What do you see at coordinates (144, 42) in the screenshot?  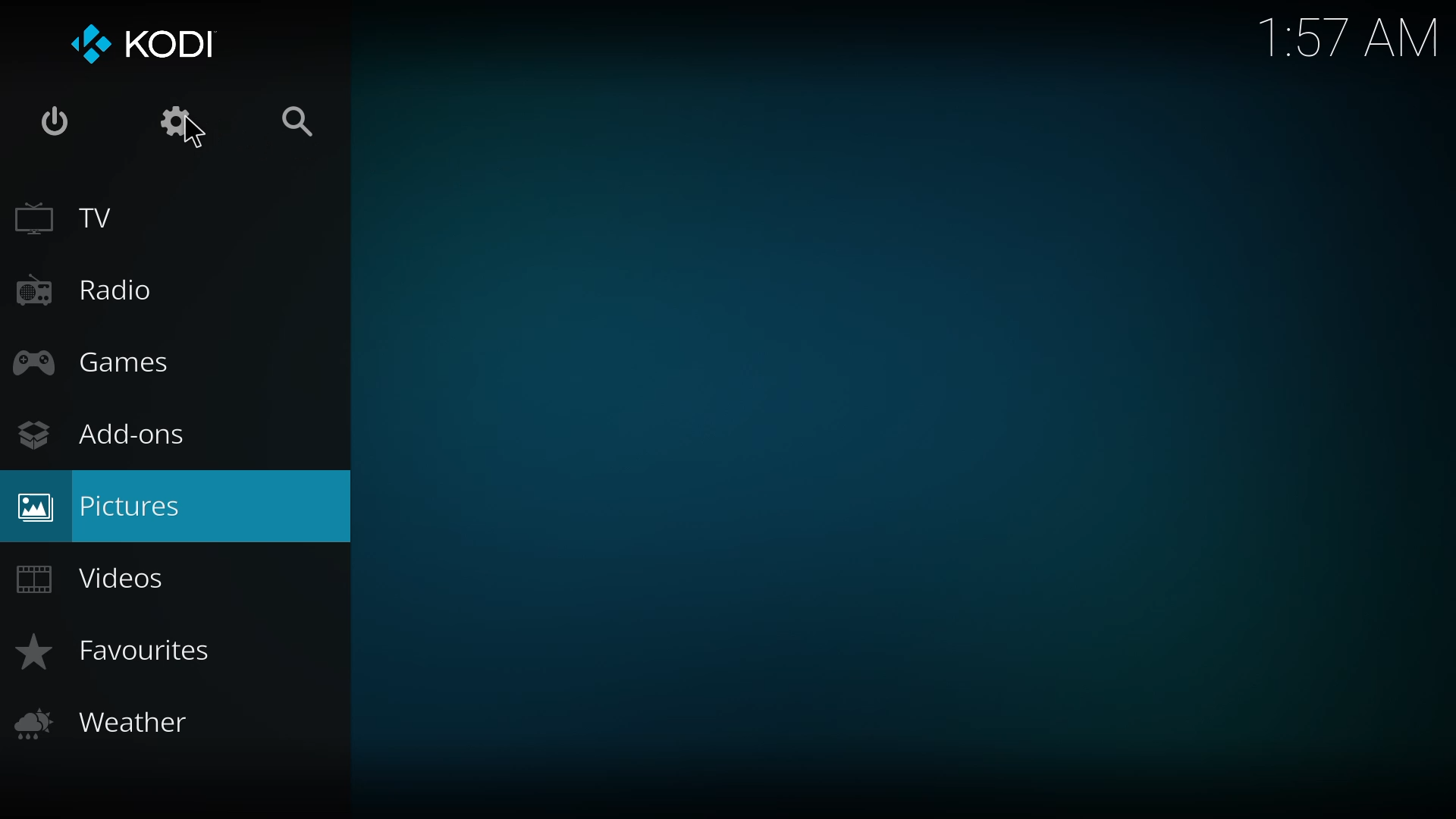 I see `kodi` at bounding box center [144, 42].